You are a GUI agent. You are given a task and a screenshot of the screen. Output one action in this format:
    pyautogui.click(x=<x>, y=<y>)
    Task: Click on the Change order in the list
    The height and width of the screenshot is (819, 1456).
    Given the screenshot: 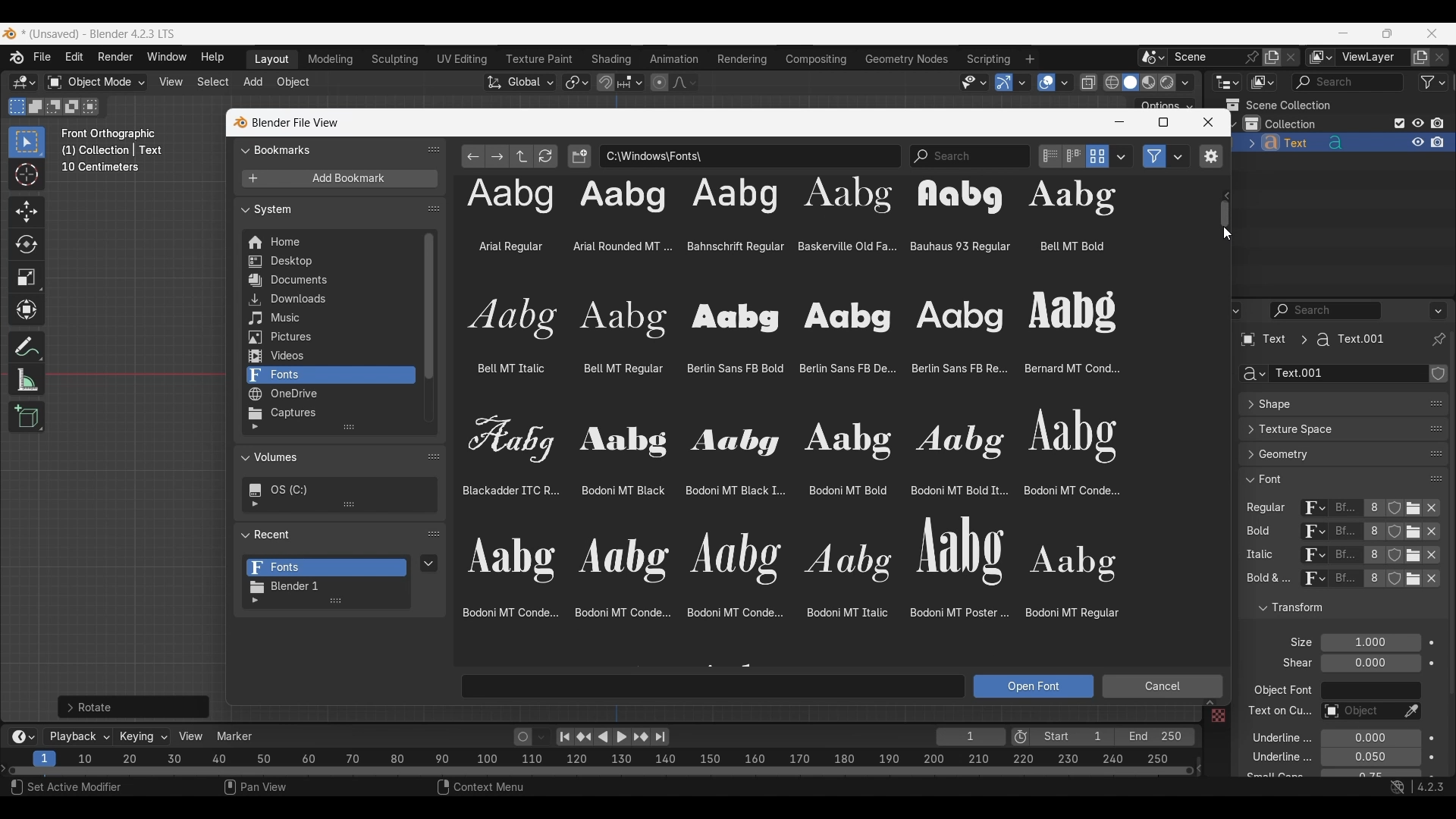 What is the action you would take?
    pyautogui.click(x=1436, y=626)
    